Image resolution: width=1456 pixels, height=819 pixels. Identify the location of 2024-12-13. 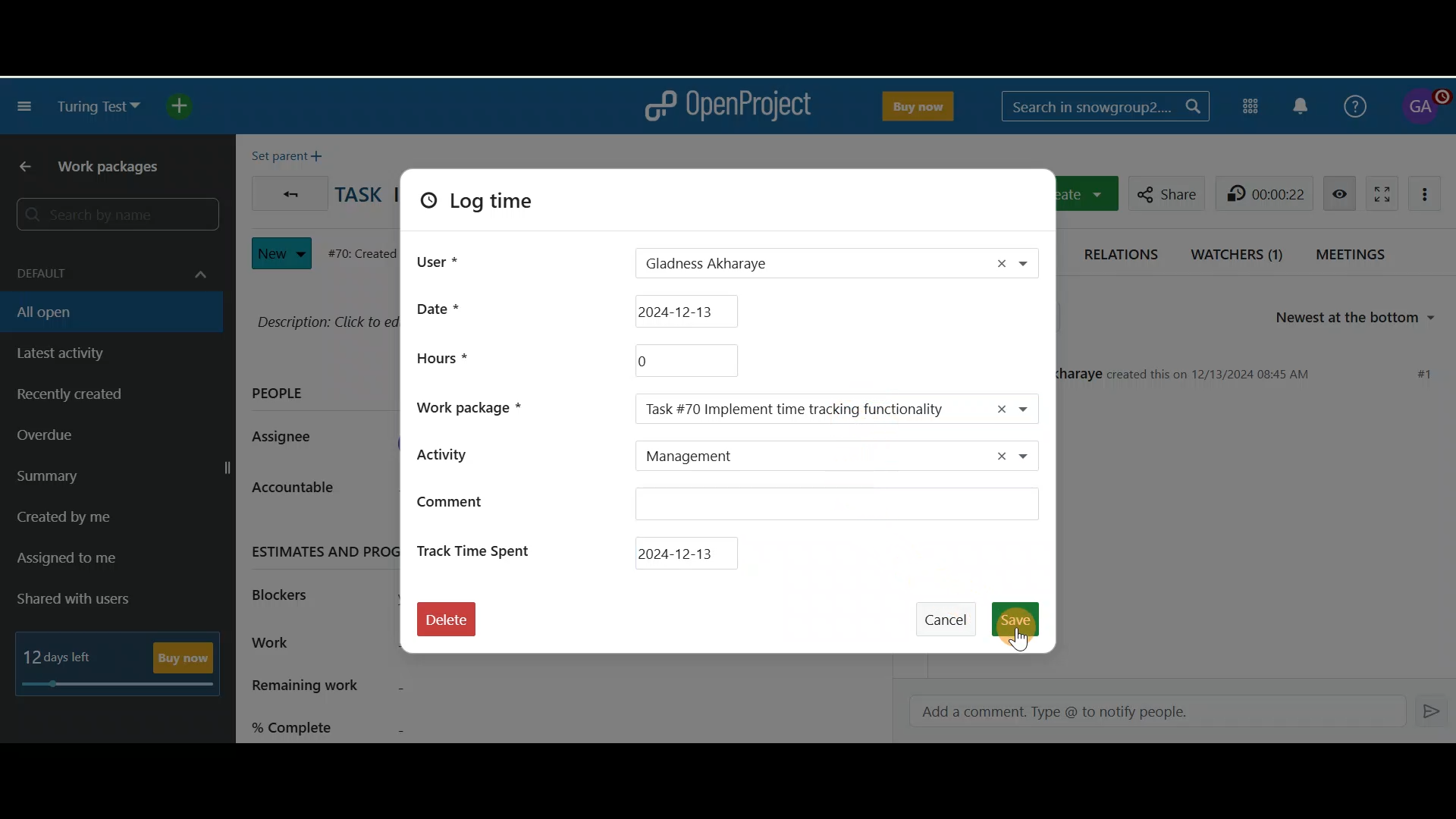
(689, 311).